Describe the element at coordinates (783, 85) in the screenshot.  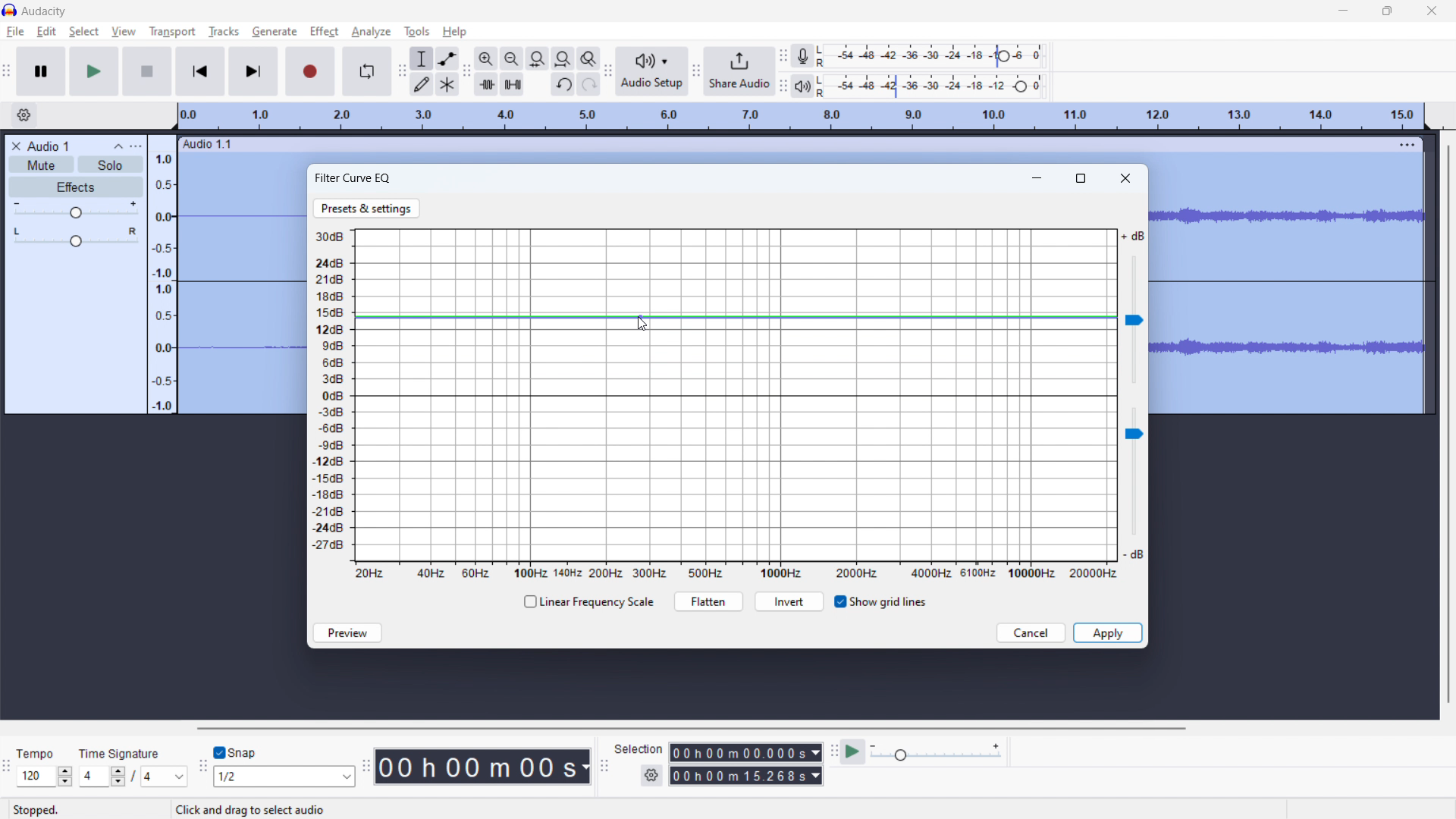
I see `playback meter toolbar` at that location.